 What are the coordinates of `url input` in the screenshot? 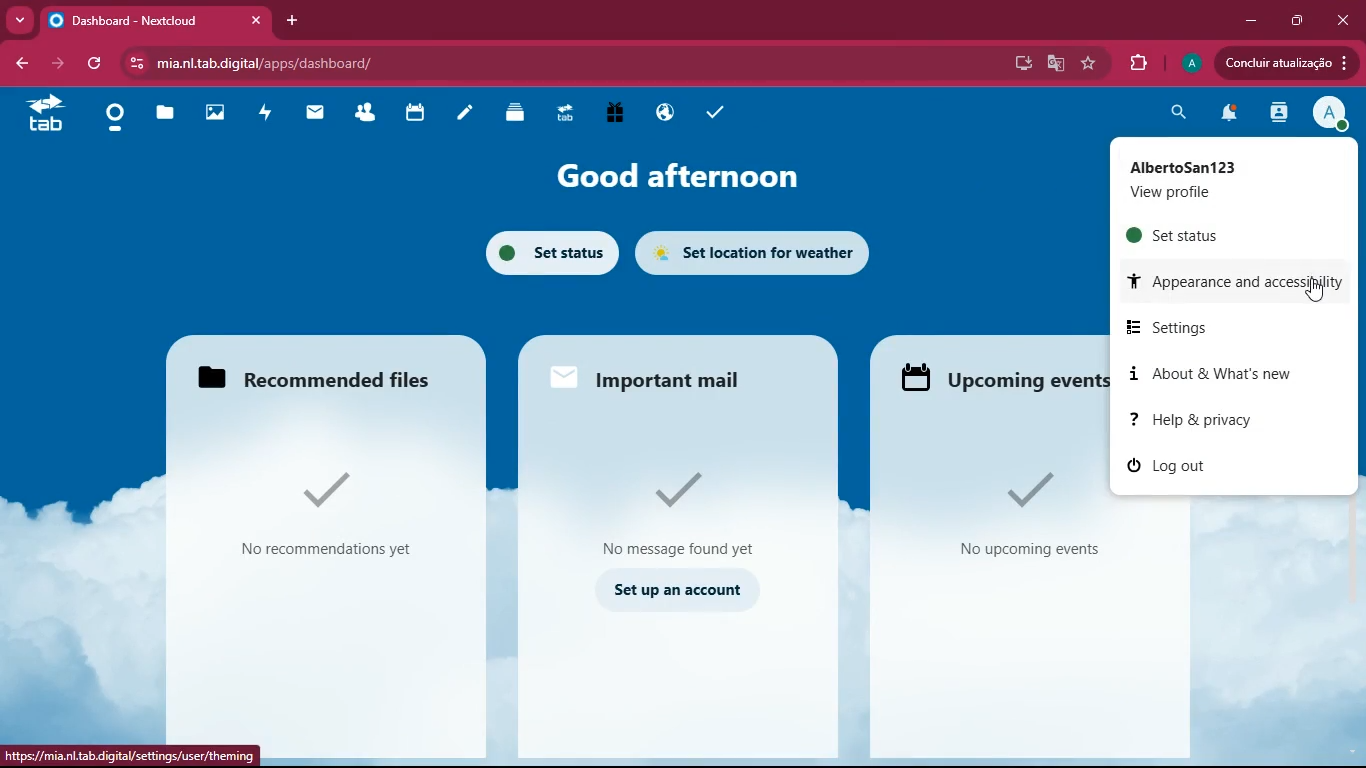 It's located at (390, 62).